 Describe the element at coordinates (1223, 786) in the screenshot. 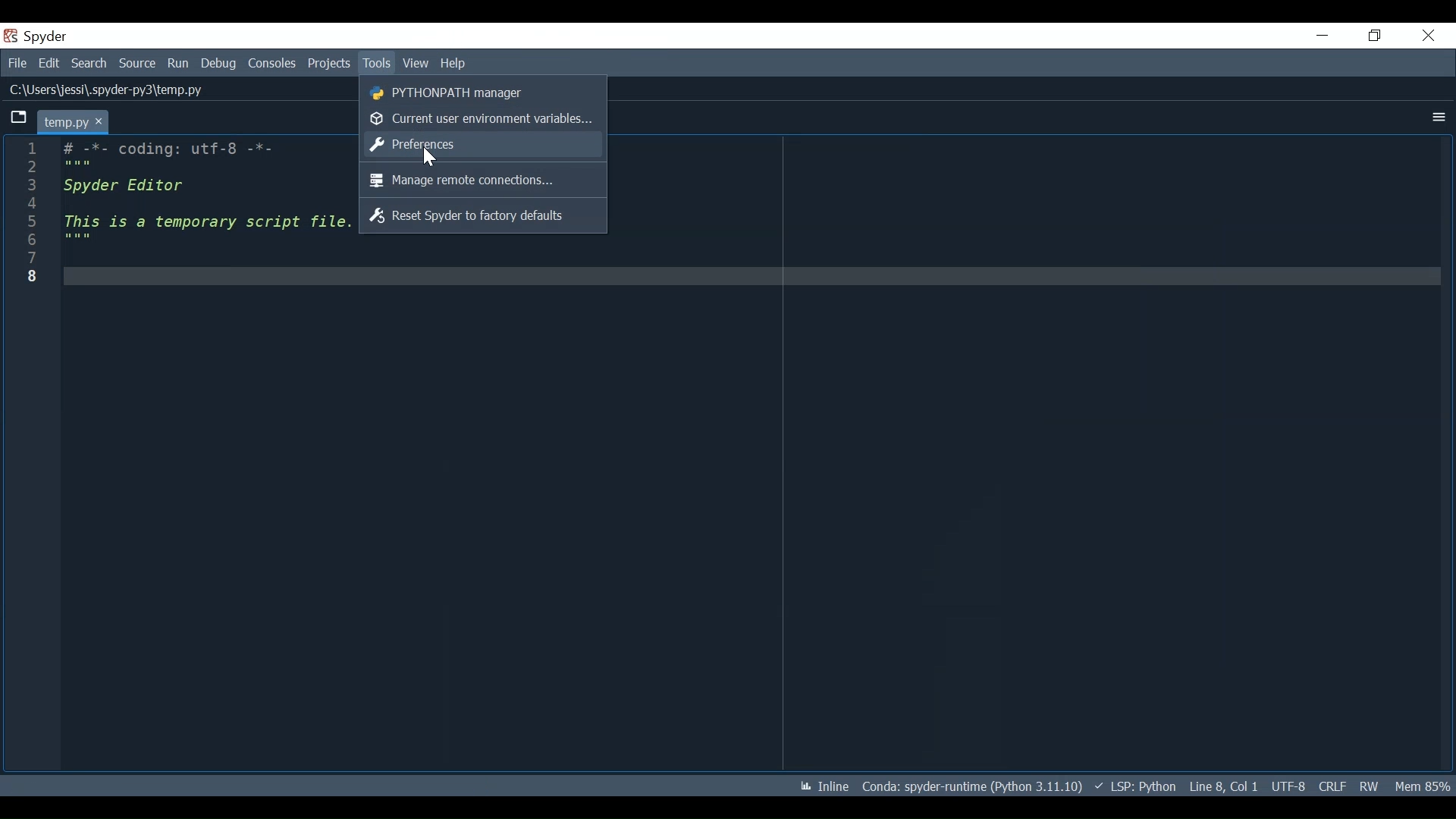

I see `Cursor Position` at that location.